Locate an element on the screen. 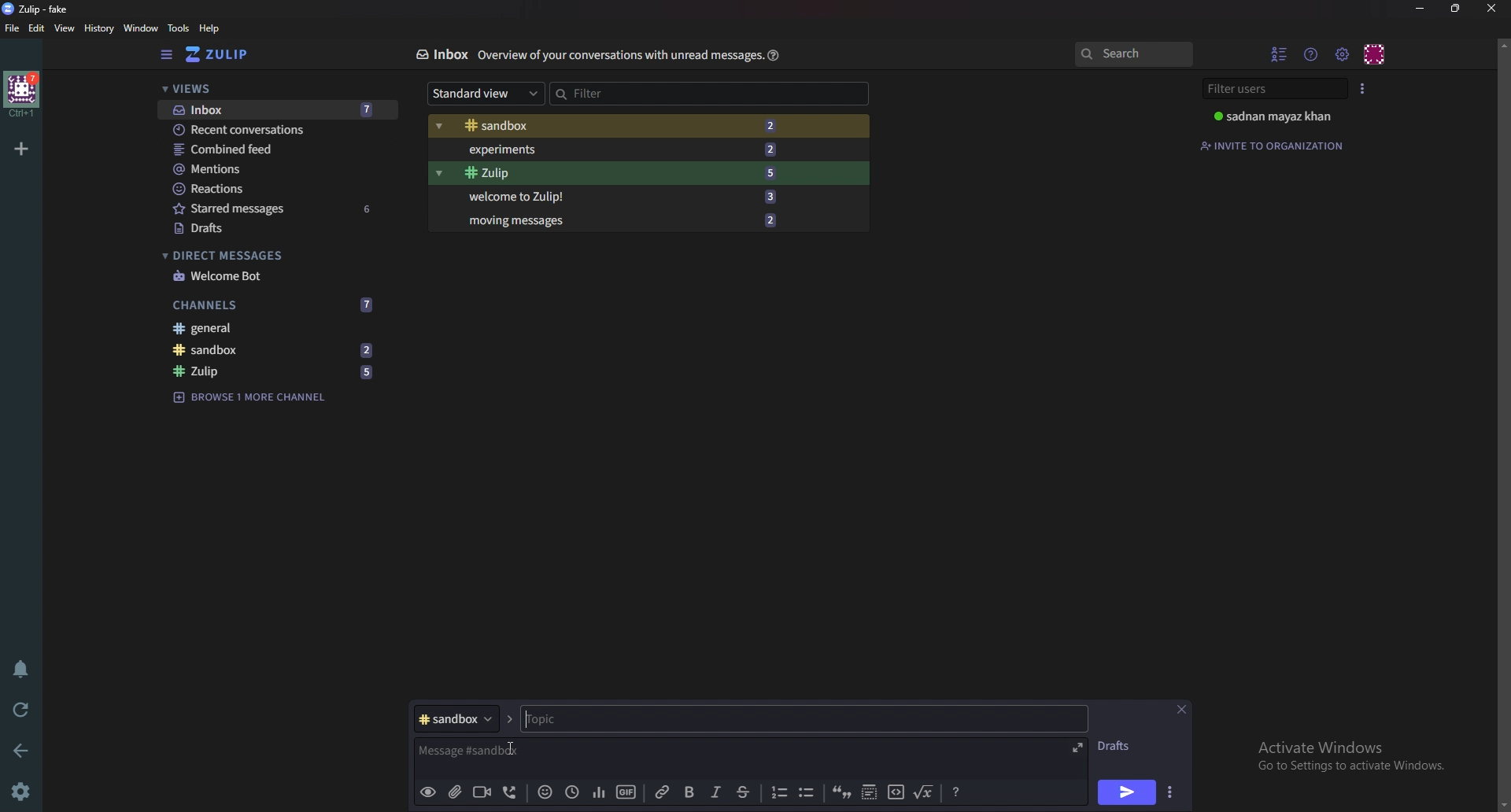 This screenshot has height=812, width=1511. Zulip is located at coordinates (275, 372).